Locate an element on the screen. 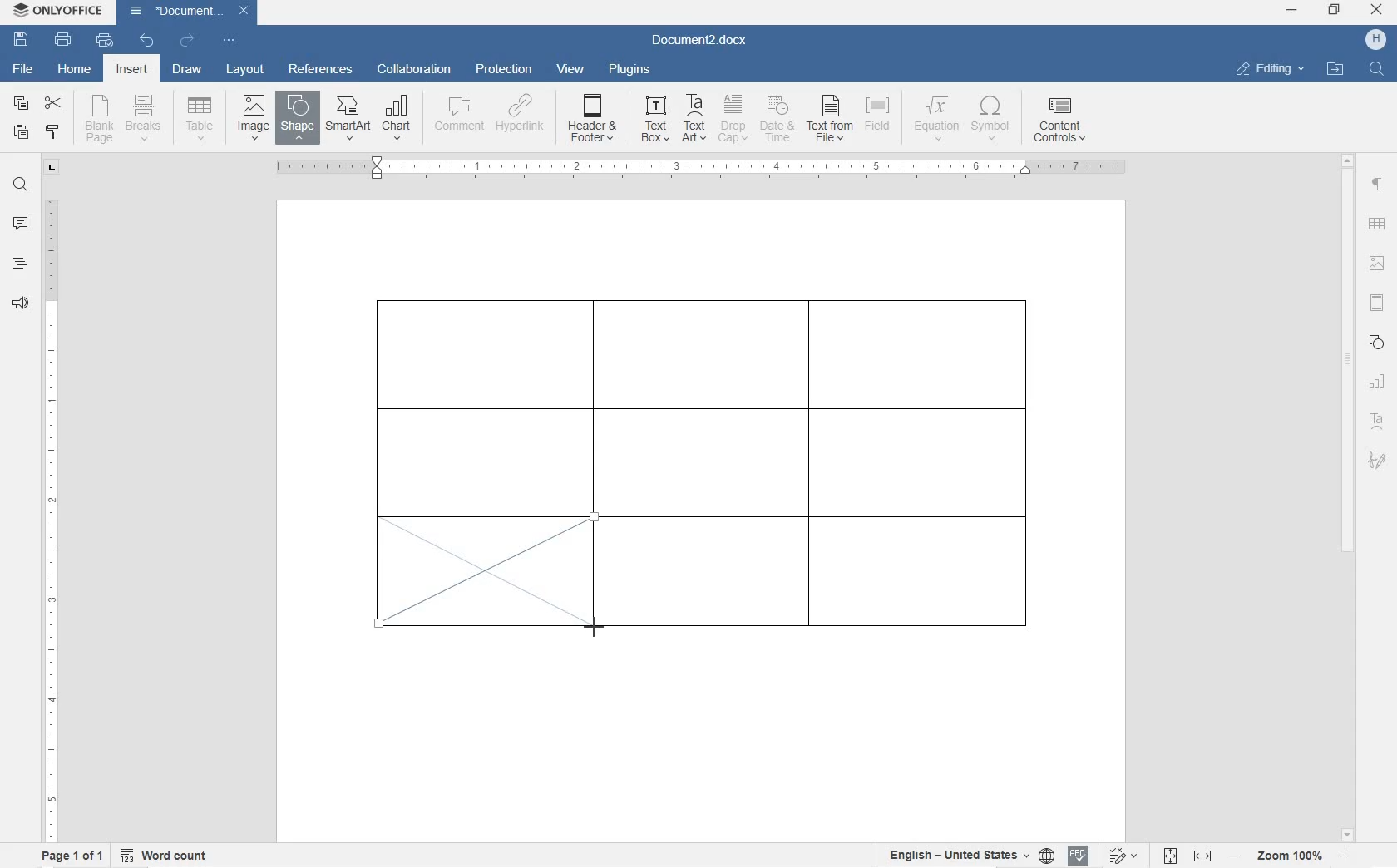 The height and width of the screenshot is (868, 1397). EDITING is located at coordinates (1271, 68).